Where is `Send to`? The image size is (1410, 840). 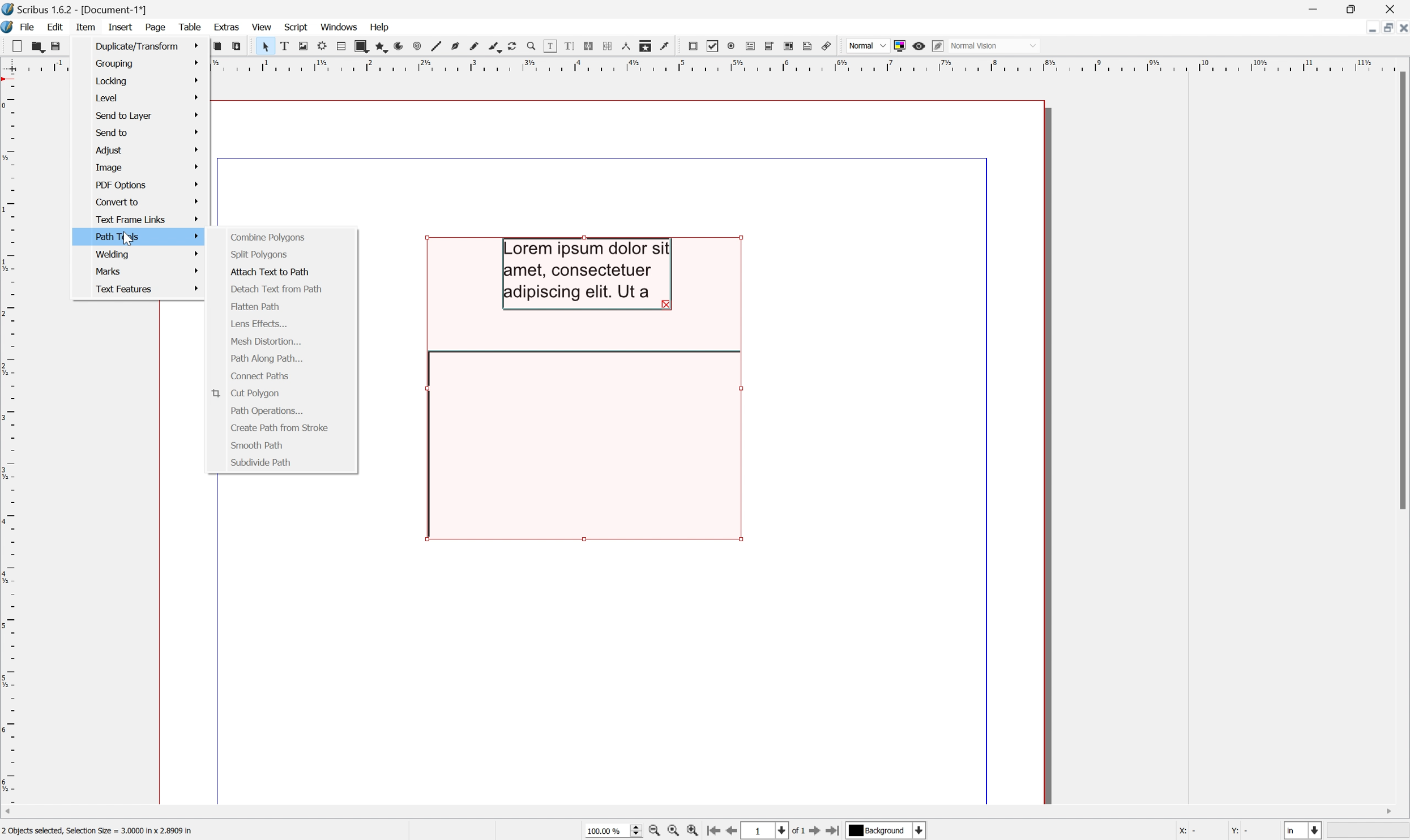 Send to is located at coordinates (147, 133).